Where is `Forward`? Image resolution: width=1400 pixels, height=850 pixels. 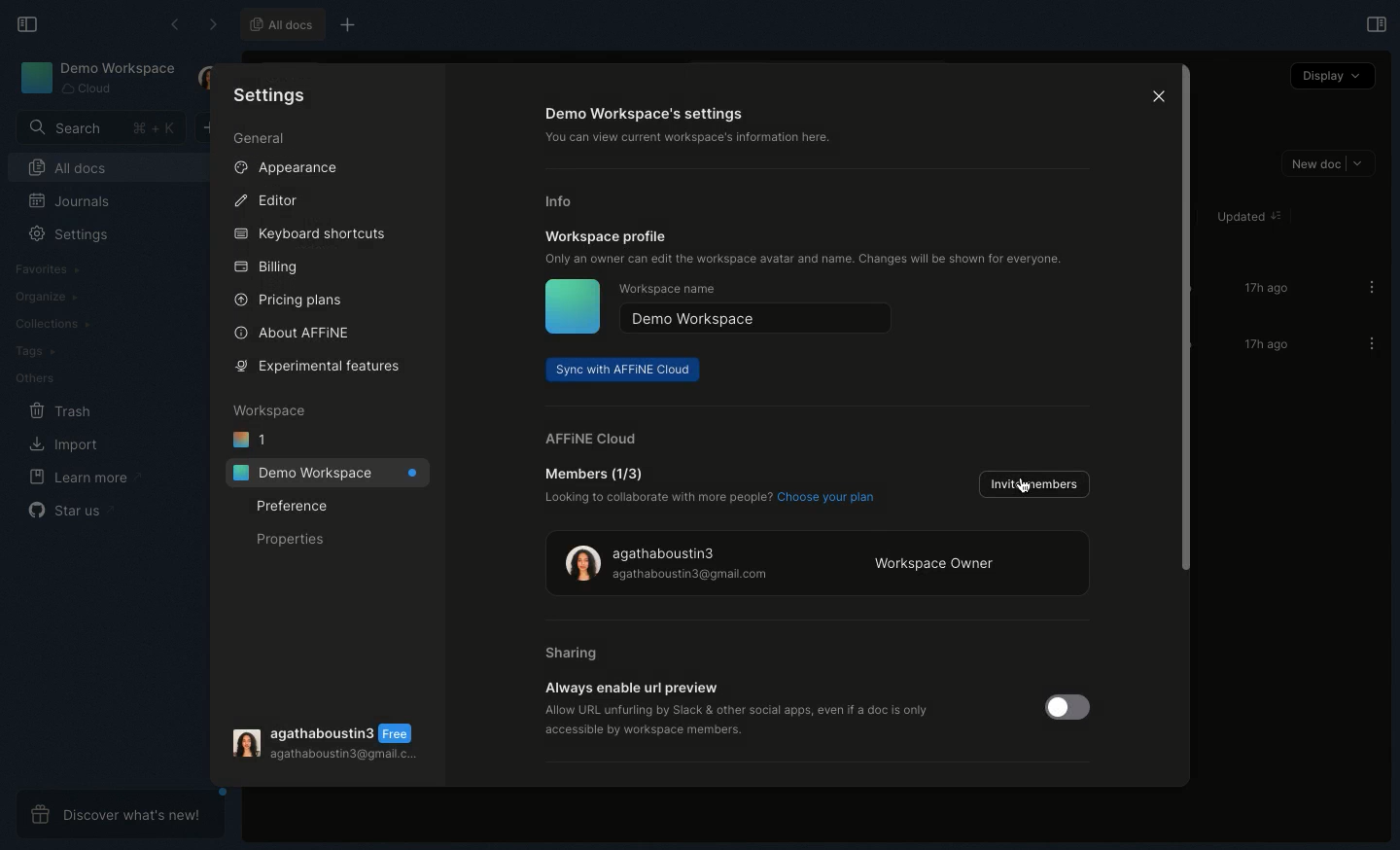
Forward is located at coordinates (210, 23).